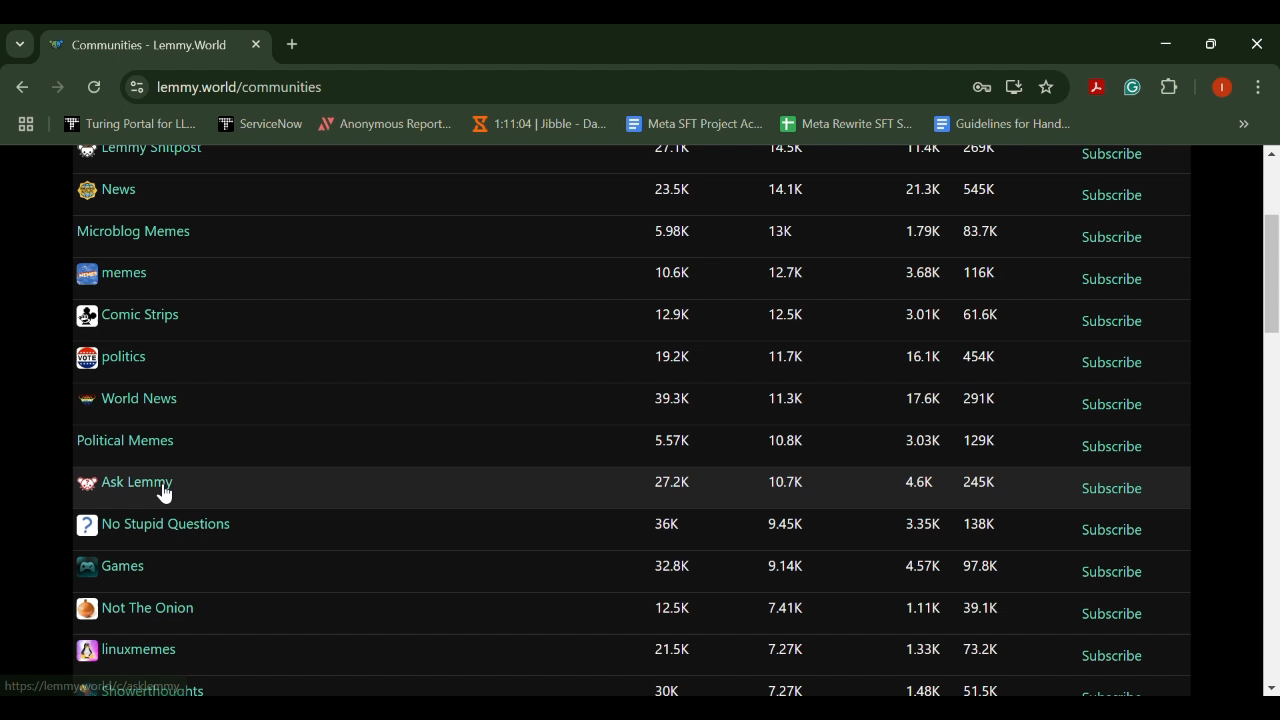  Describe the element at coordinates (58, 90) in the screenshot. I see `Next Webpage` at that location.